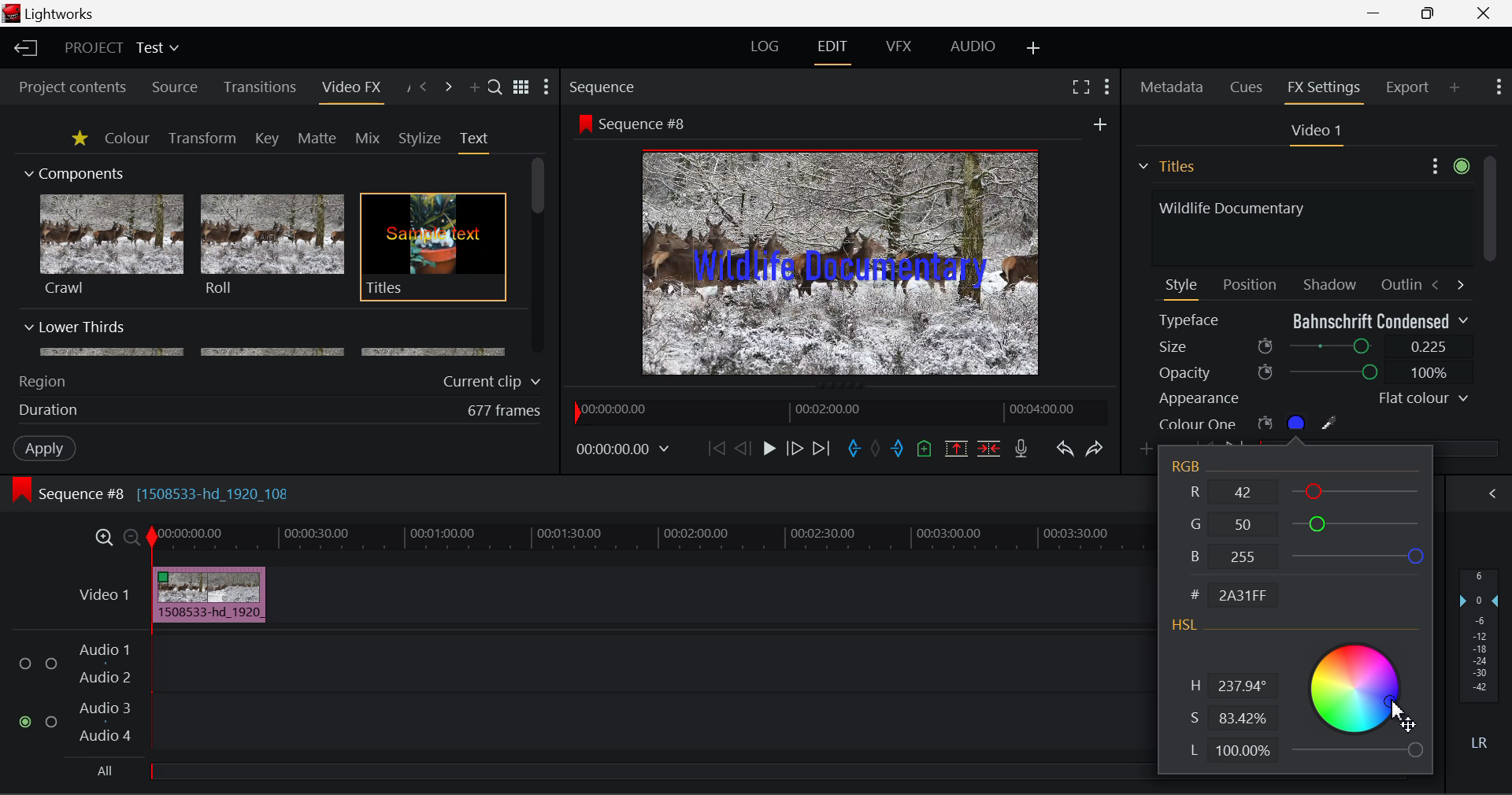 This screenshot has height=795, width=1512. Describe the element at coordinates (602, 86) in the screenshot. I see `Sequence` at that location.